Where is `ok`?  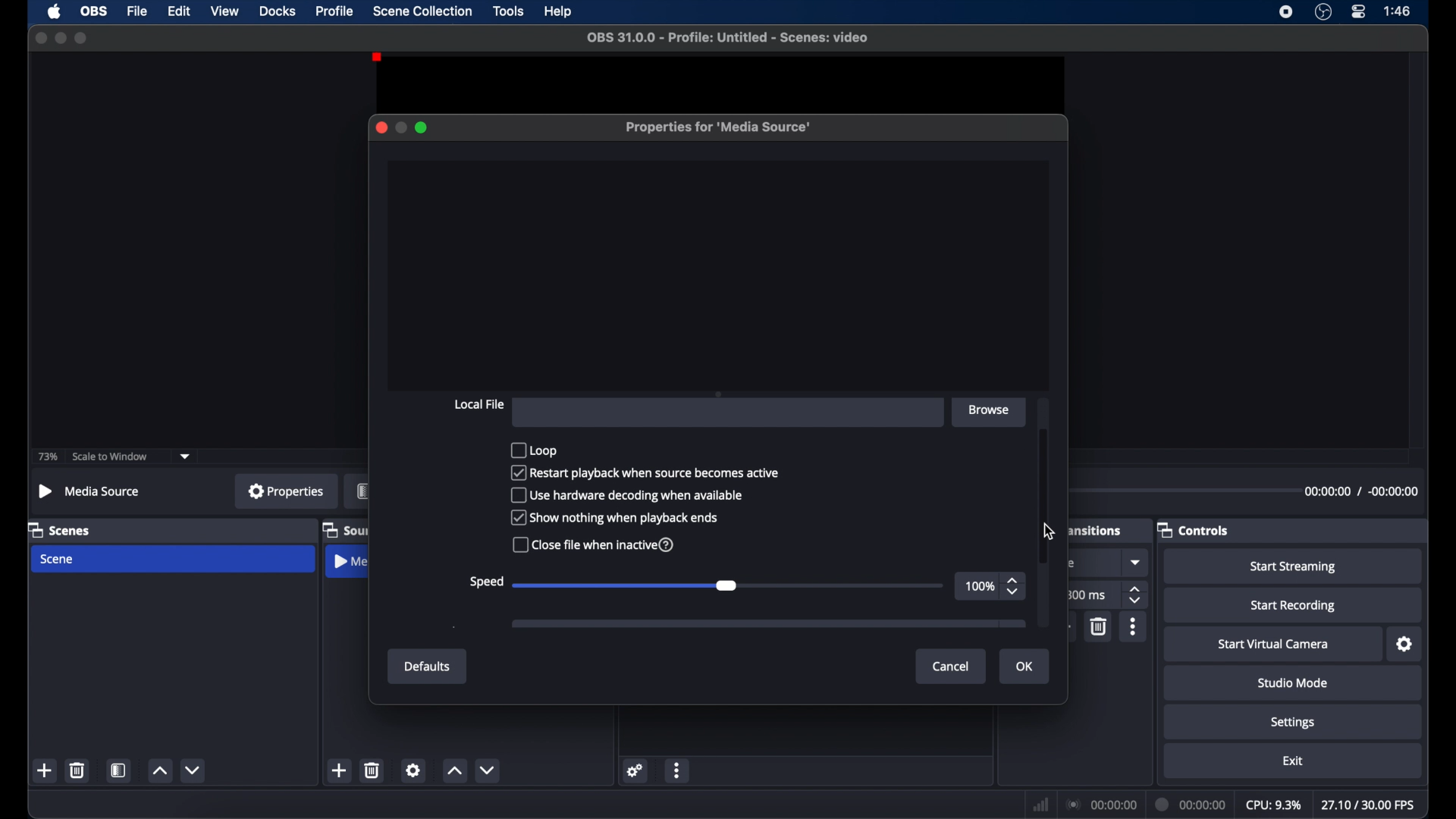
ok is located at coordinates (1025, 667).